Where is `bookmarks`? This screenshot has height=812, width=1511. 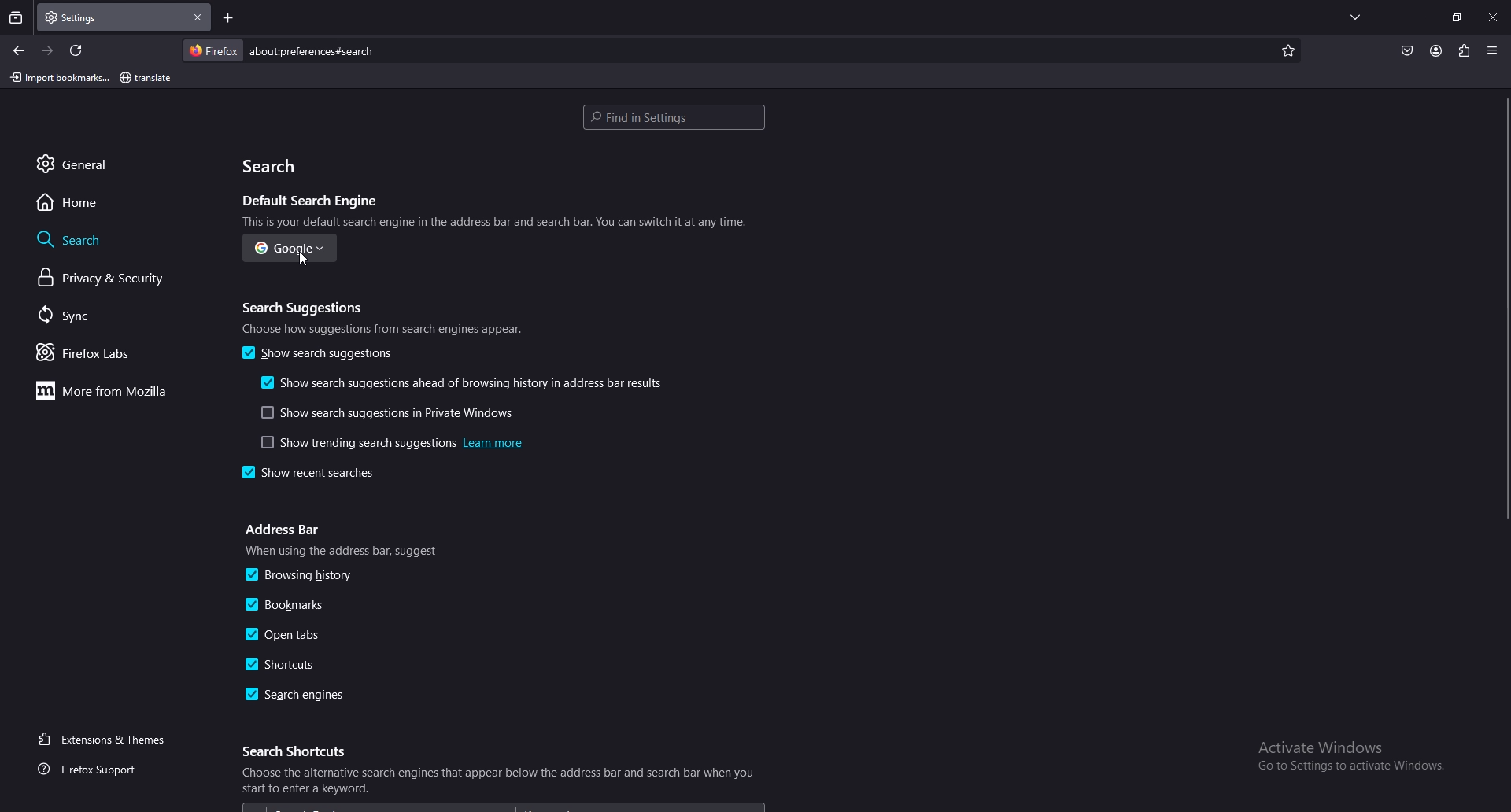
bookmarks is located at coordinates (301, 605).